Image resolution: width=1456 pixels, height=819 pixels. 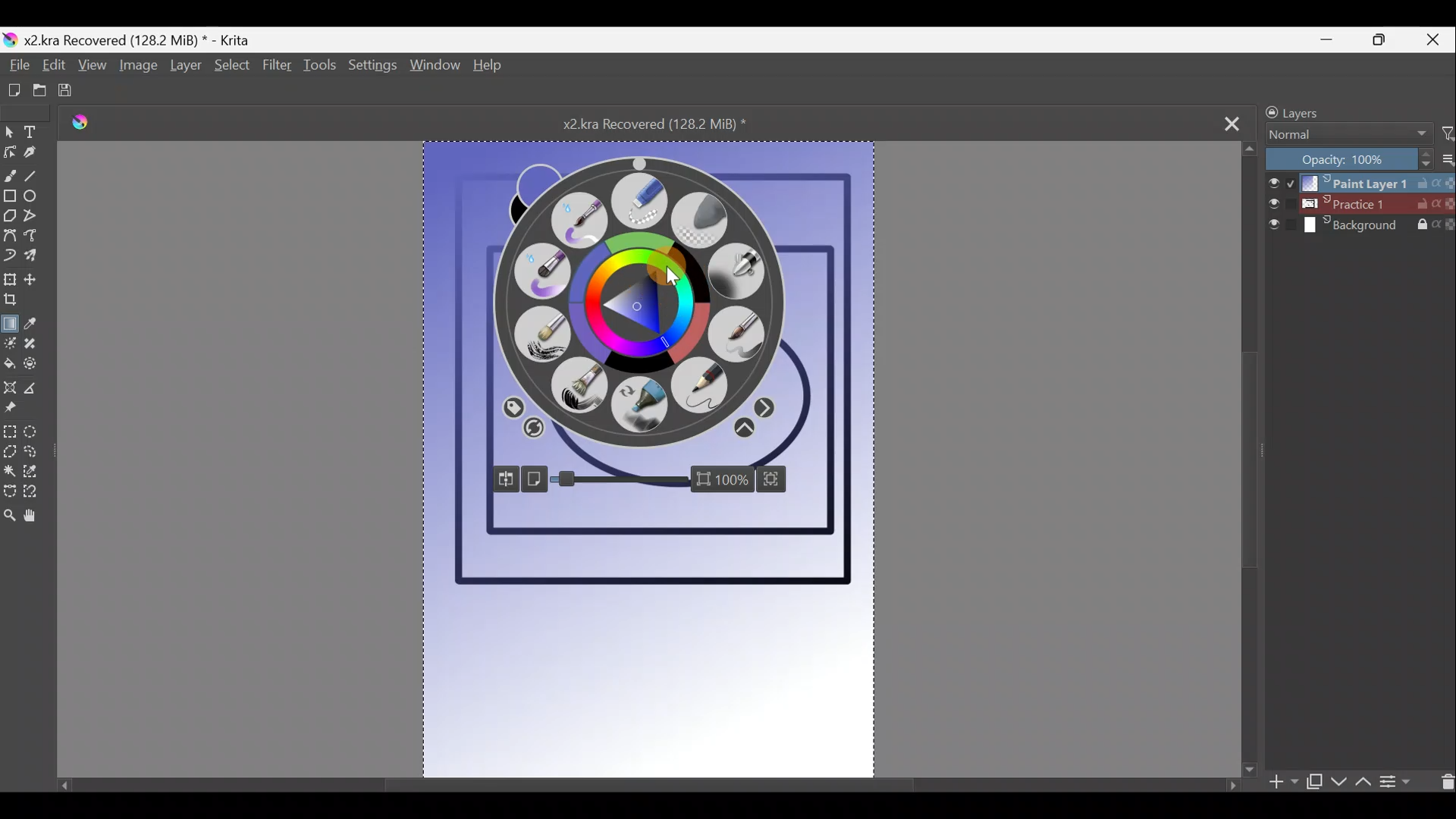 I want to click on Mirror view around cursor, so click(x=503, y=479).